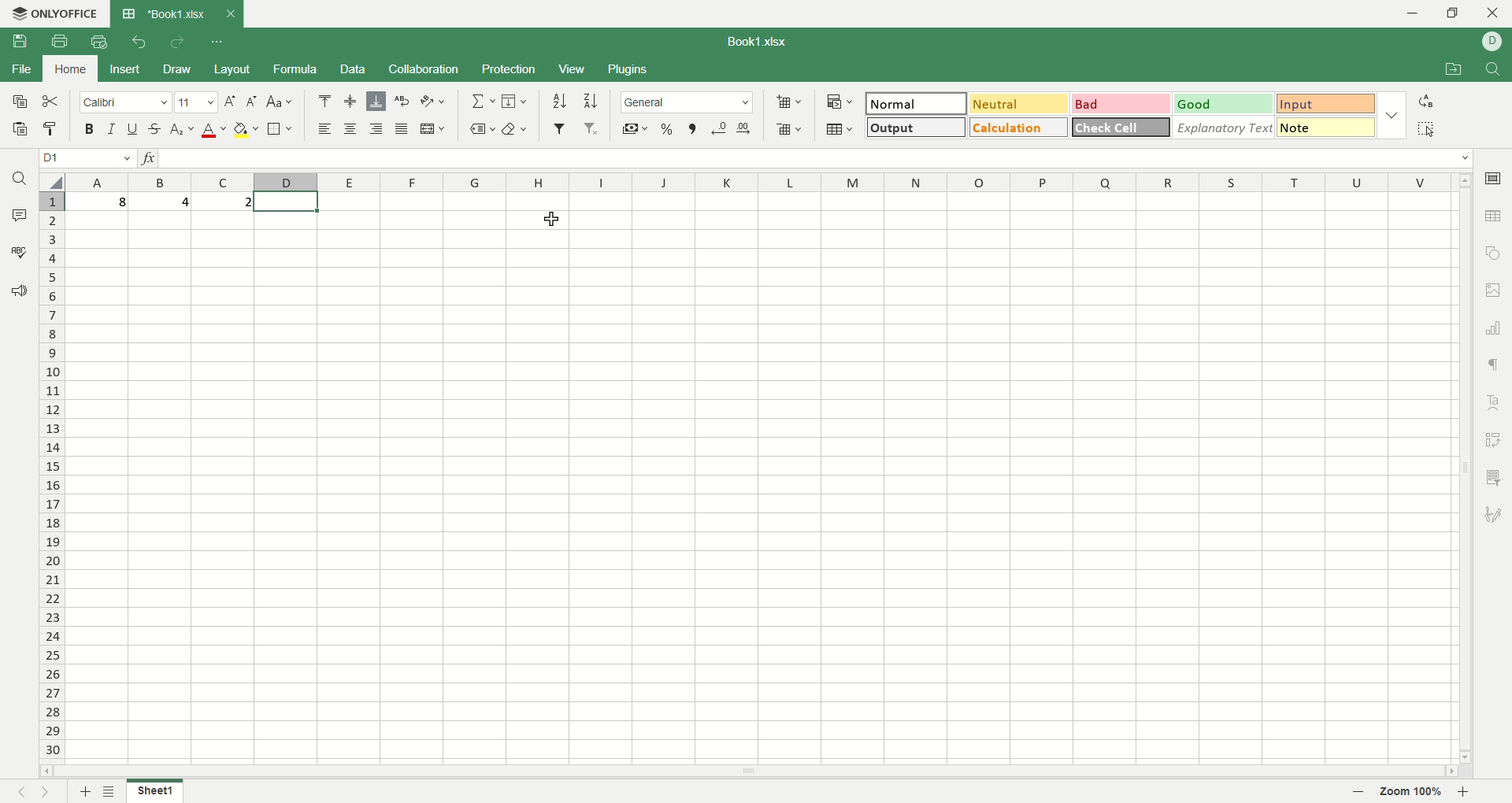 Image resolution: width=1512 pixels, height=803 pixels. I want to click on sort descending, so click(592, 101).